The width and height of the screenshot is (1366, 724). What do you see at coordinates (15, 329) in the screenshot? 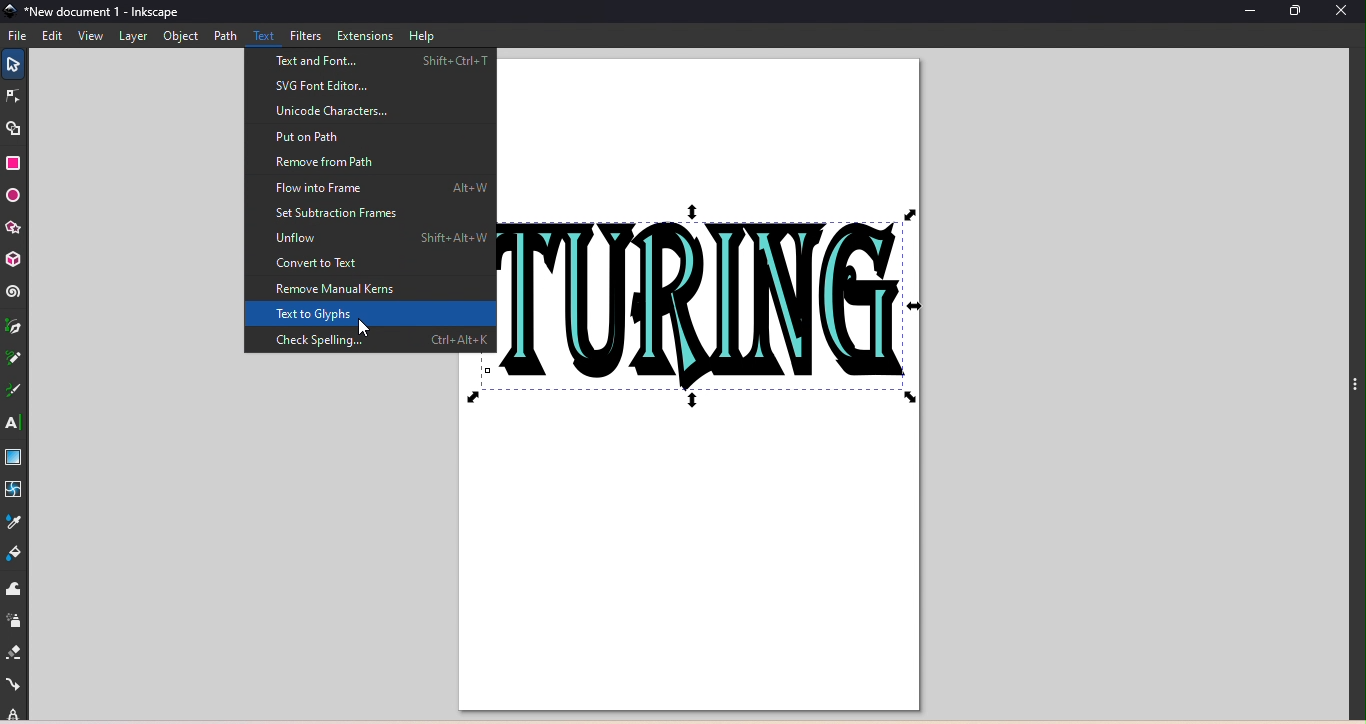
I see `Pen tool` at bounding box center [15, 329].